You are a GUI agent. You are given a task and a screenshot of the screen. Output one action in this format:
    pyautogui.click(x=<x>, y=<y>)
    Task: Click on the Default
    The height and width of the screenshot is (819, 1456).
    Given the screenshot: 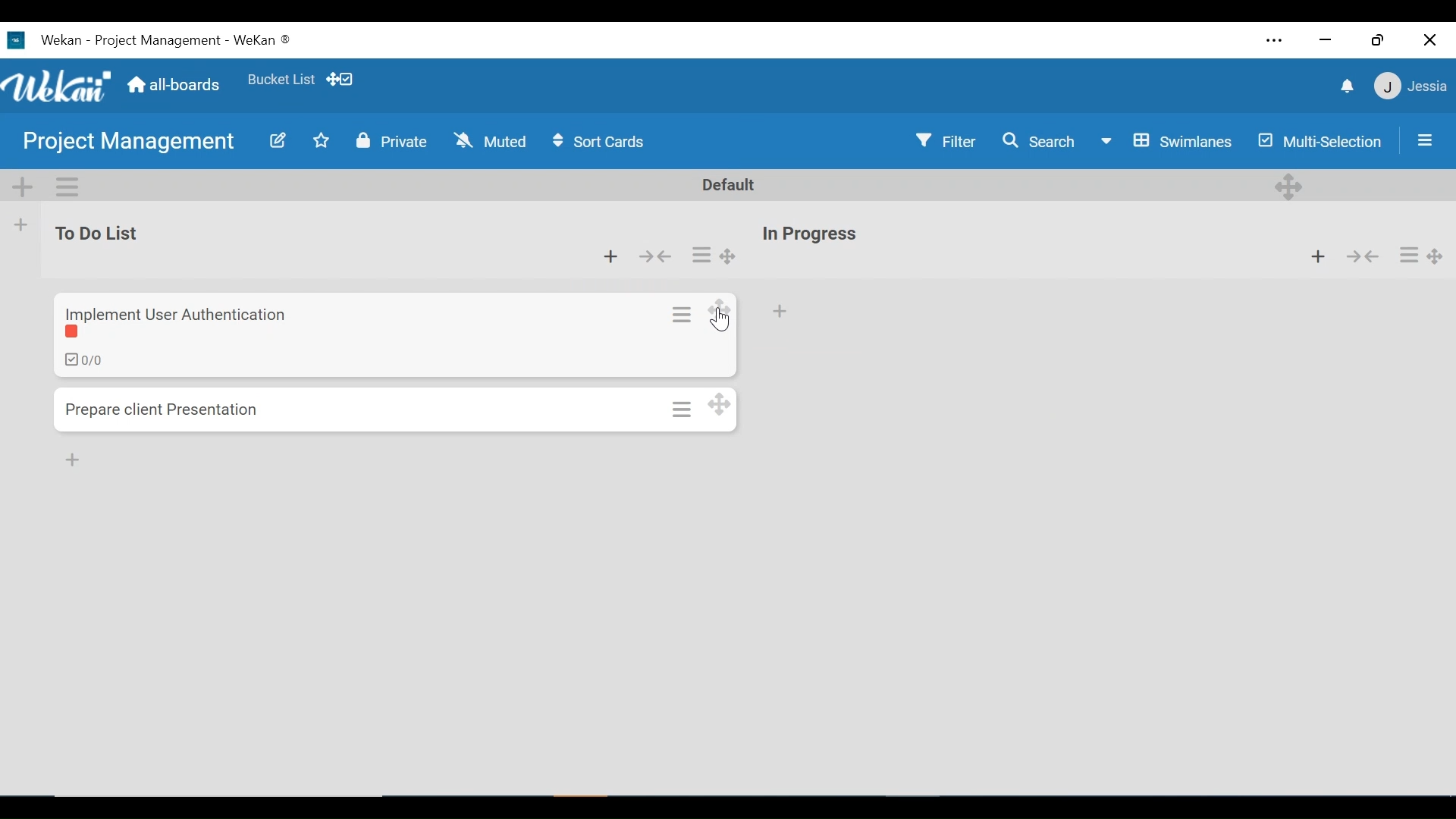 What is the action you would take?
    pyautogui.click(x=729, y=186)
    